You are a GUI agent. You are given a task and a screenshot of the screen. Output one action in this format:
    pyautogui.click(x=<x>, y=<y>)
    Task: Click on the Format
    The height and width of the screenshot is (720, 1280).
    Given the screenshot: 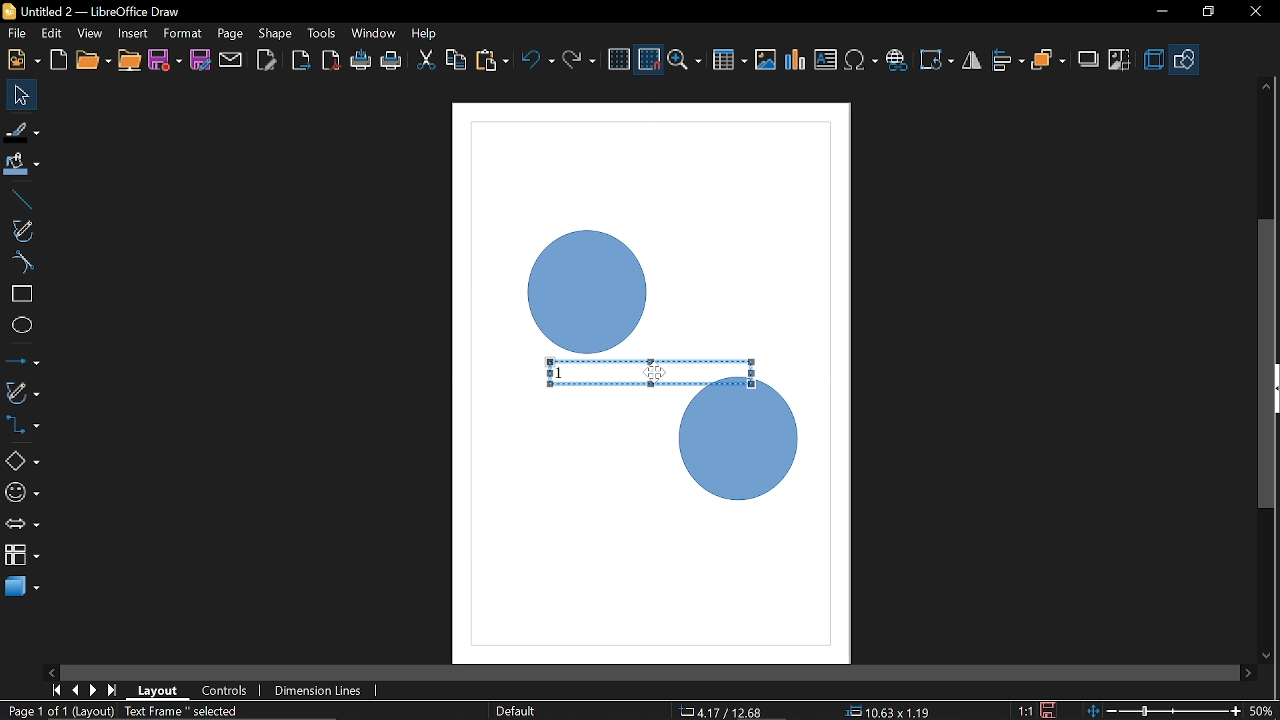 What is the action you would take?
    pyautogui.click(x=182, y=34)
    